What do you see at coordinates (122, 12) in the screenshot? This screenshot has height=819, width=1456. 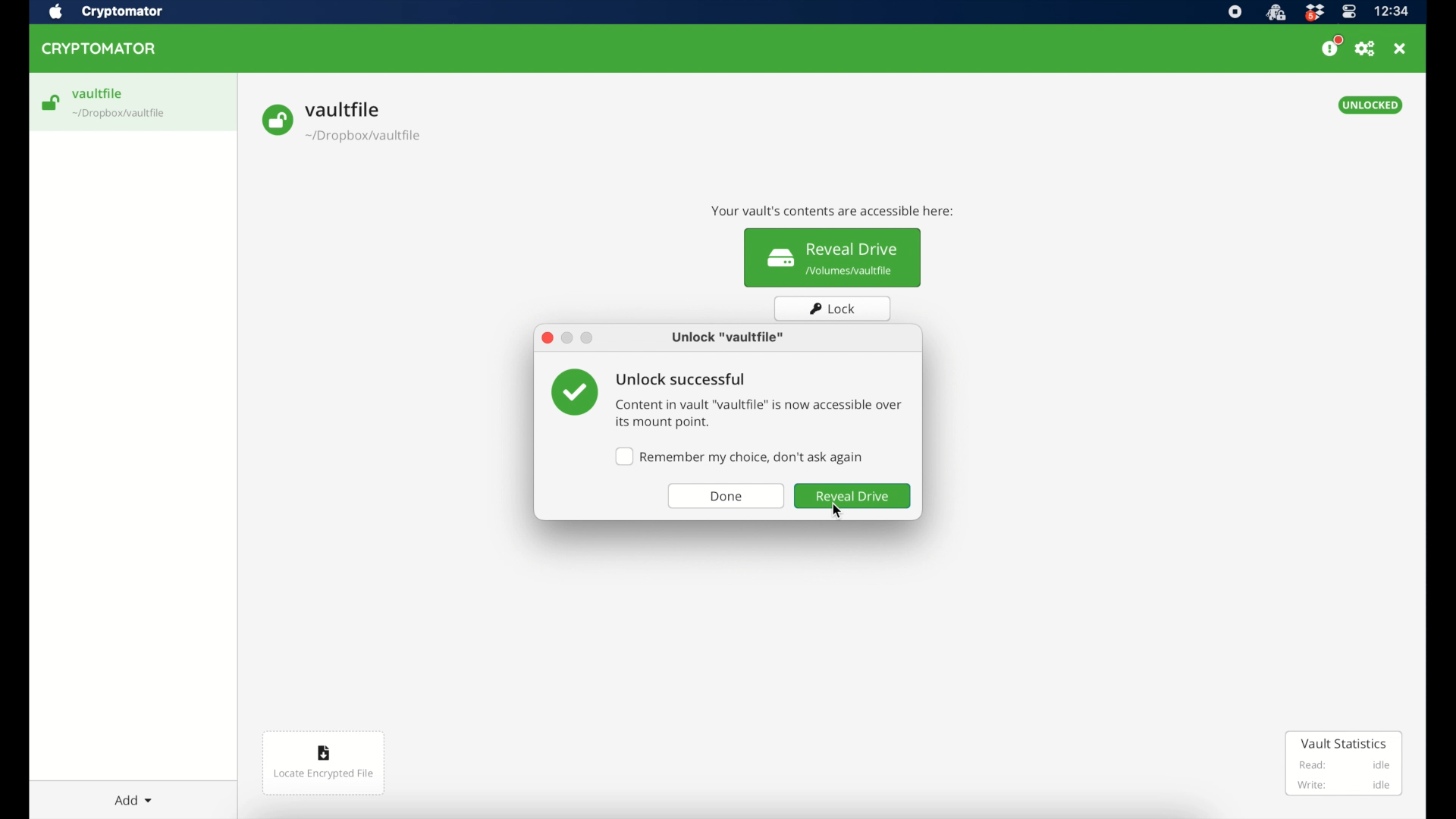 I see `cryptomator` at bounding box center [122, 12].